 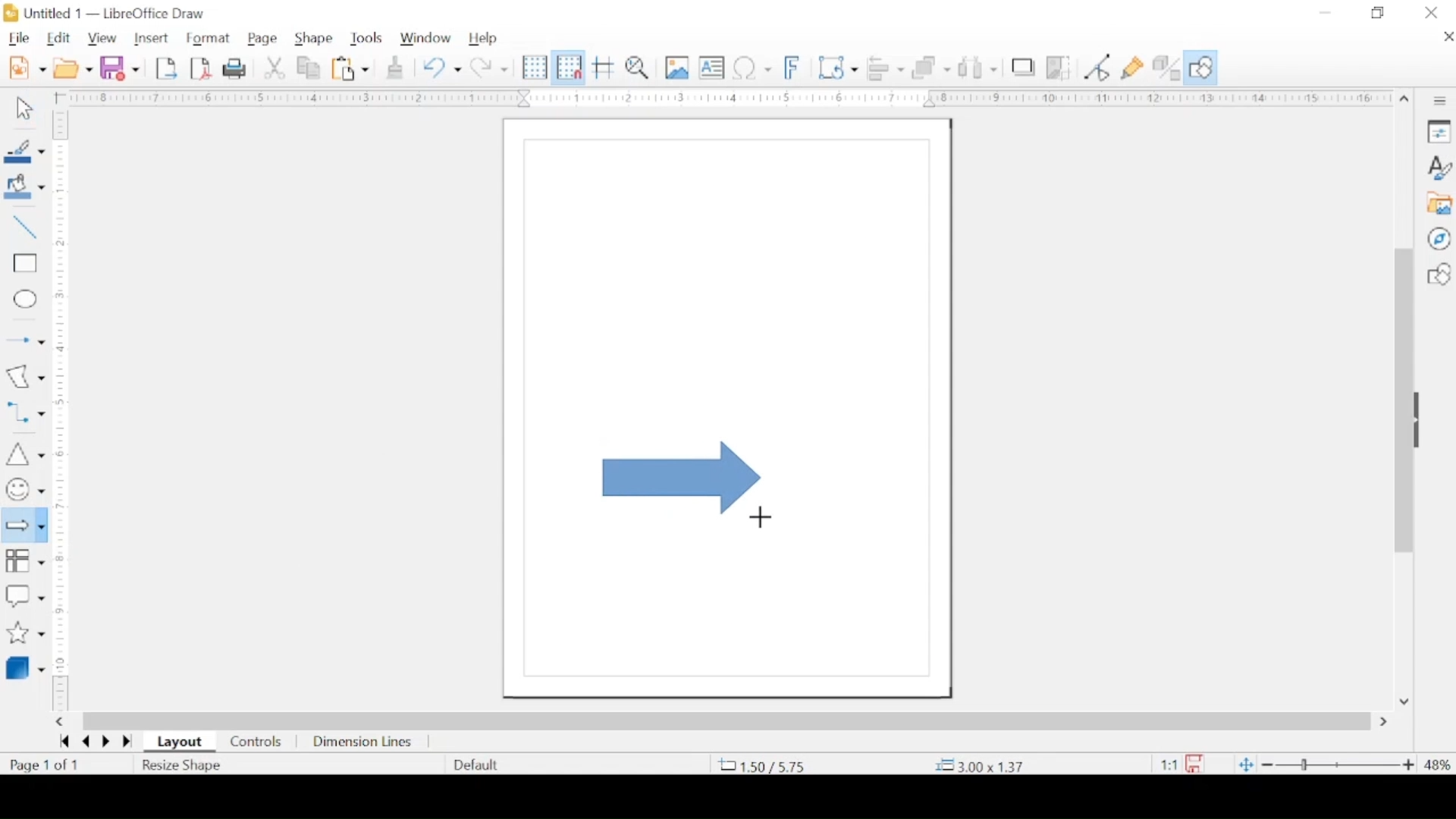 I want to click on snap to grid, so click(x=569, y=67).